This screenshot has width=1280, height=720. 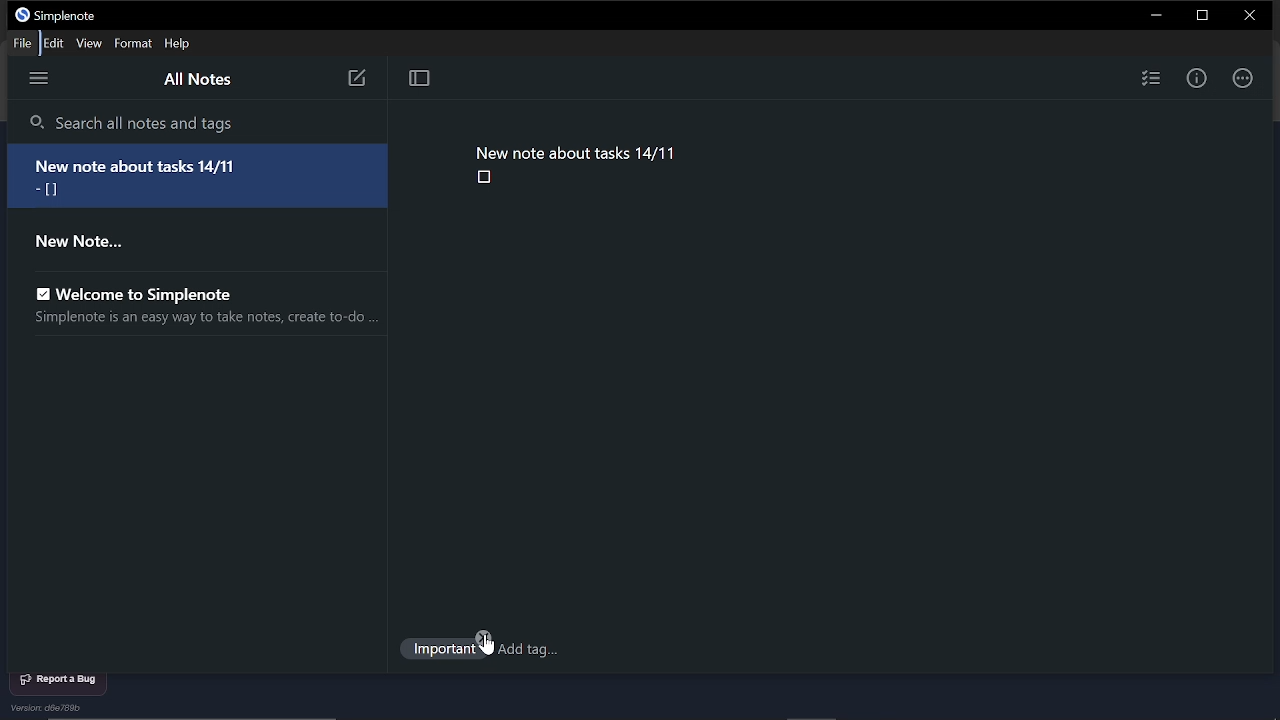 What do you see at coordinates (42, 294) in the screenshot?
I see `enable checkbox` at bounding box center [42, 294].